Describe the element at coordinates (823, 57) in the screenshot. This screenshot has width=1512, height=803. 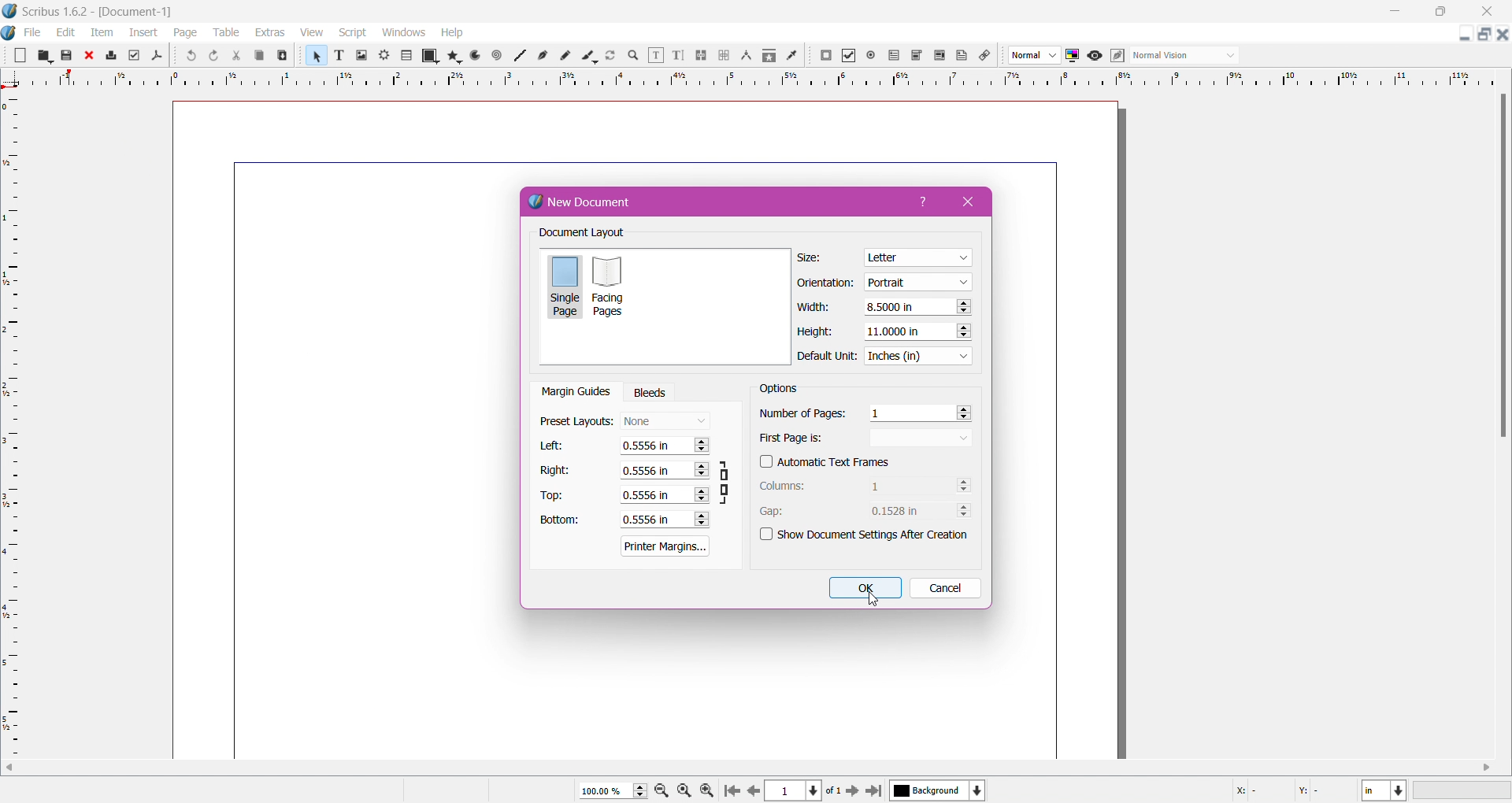
I see `icon` at that location.